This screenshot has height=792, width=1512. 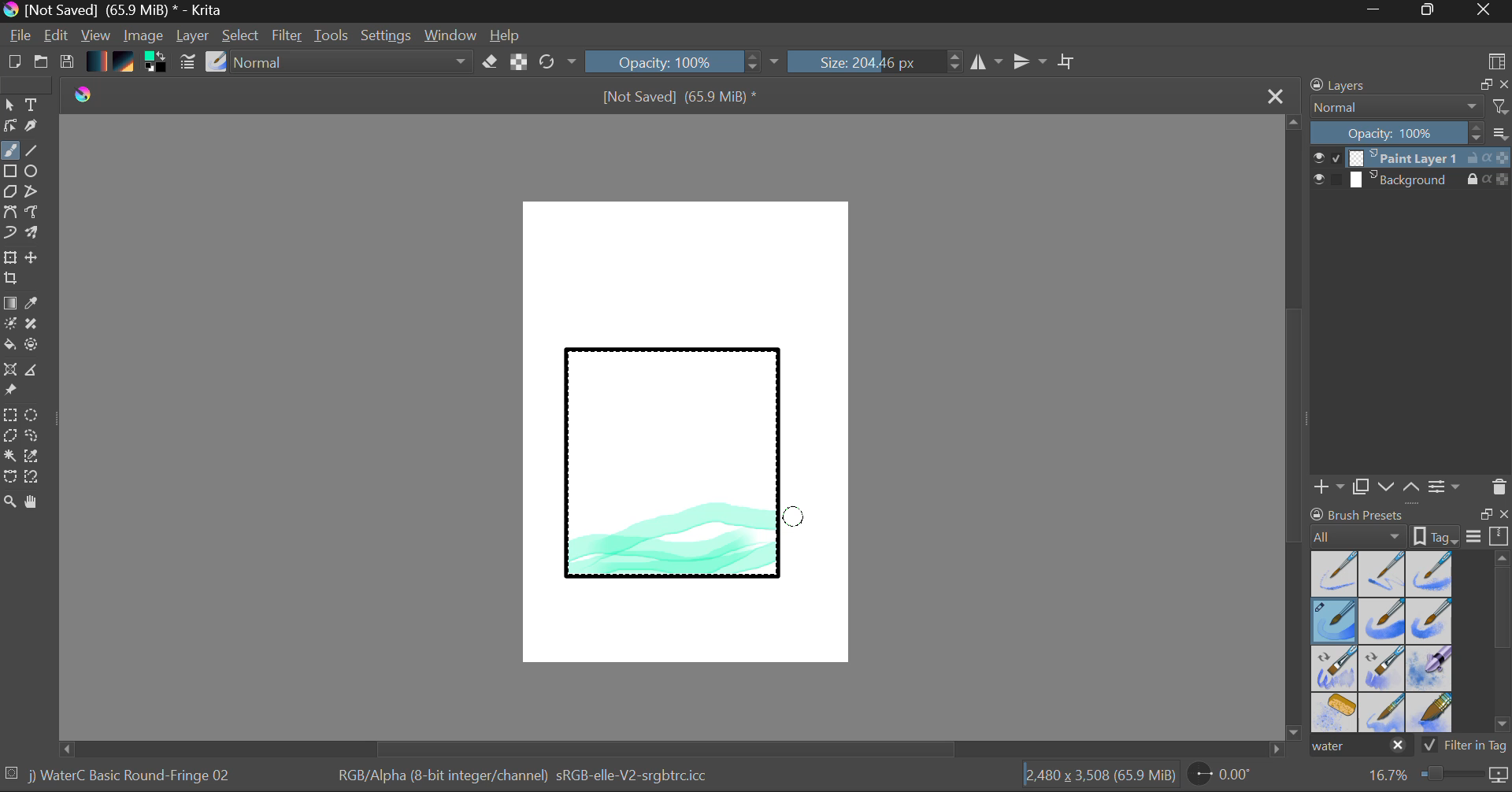 What do you see at coordinates (1379, 11) in the screenshot?
I see `Restore Down` at bounding box center [1379, 11].